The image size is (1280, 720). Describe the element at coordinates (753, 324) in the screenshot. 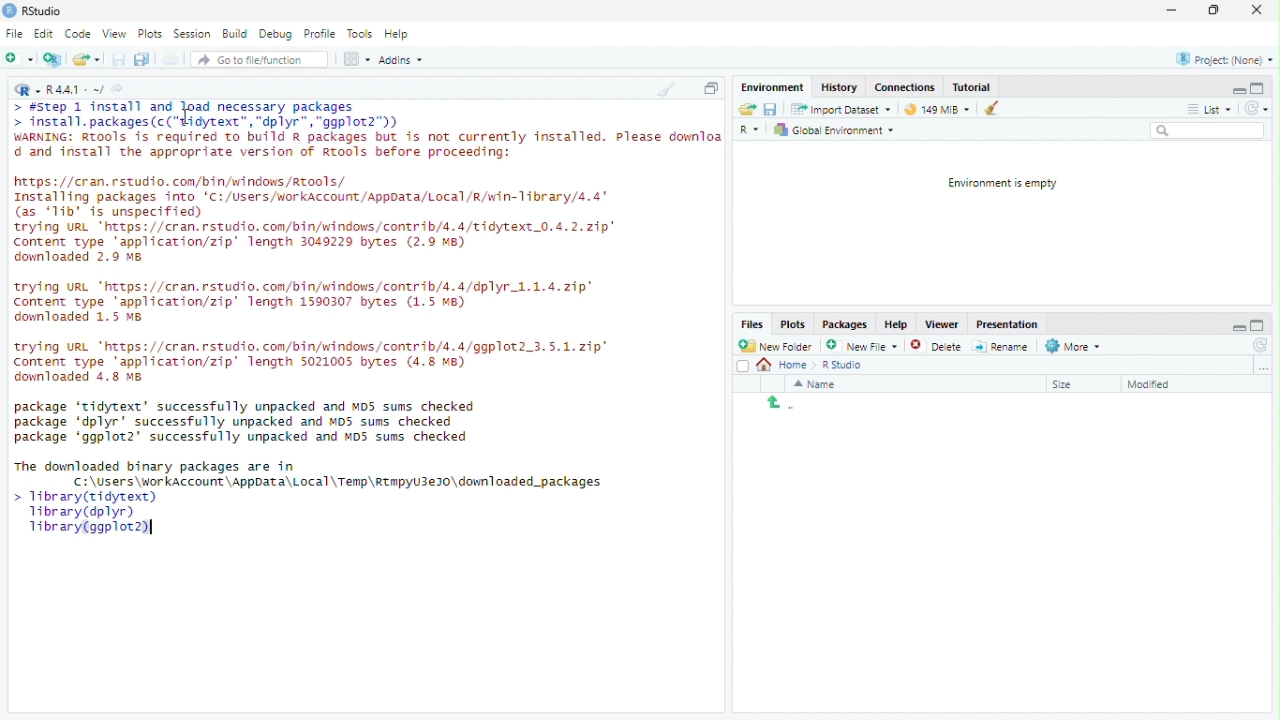

I see `Files` at that location.